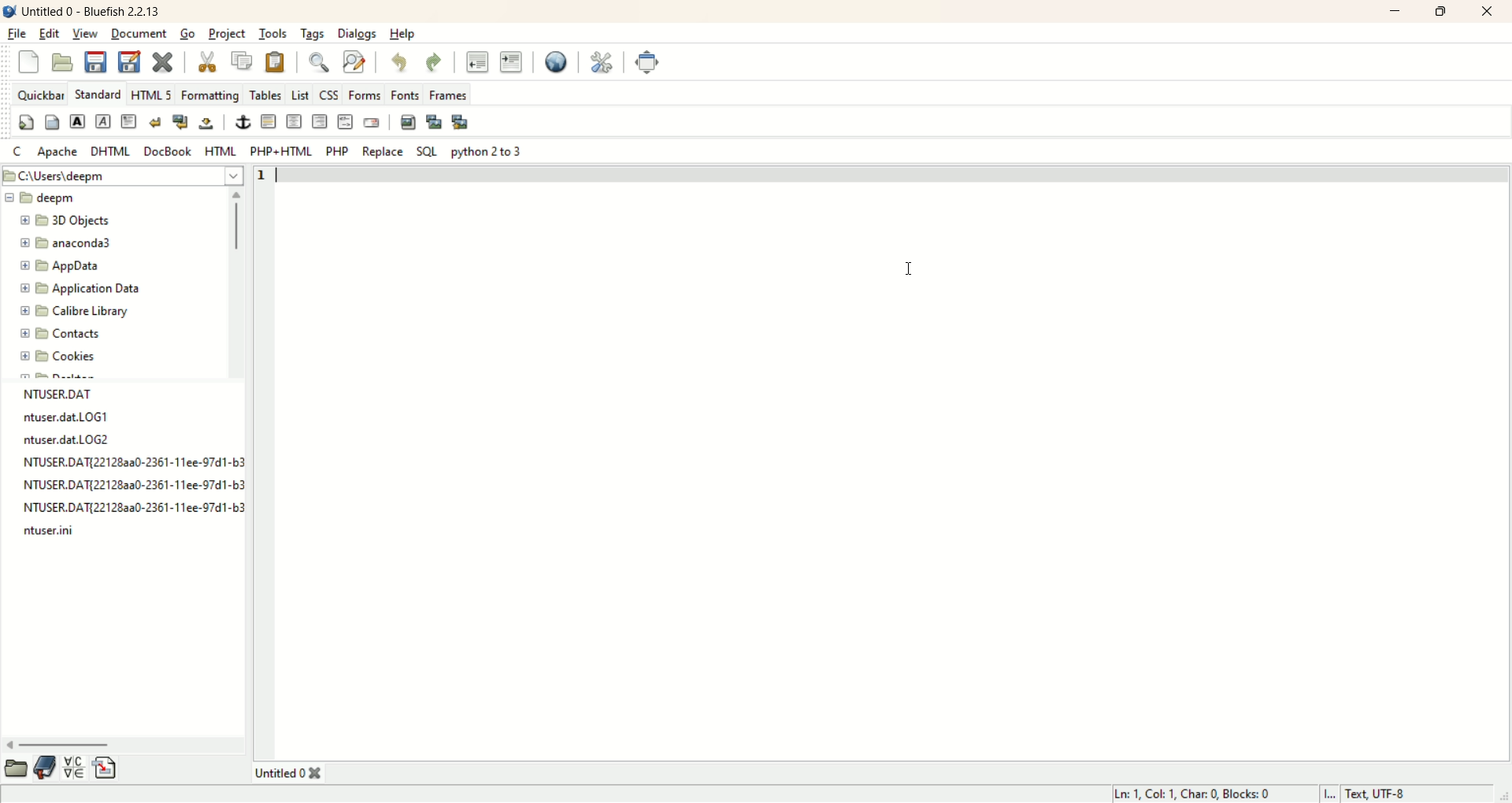 This screenshot has width=1512, height=803. Describe the element at coordinates (346, 122) in the screenshot. I see `HTML COMMENT` at that location.